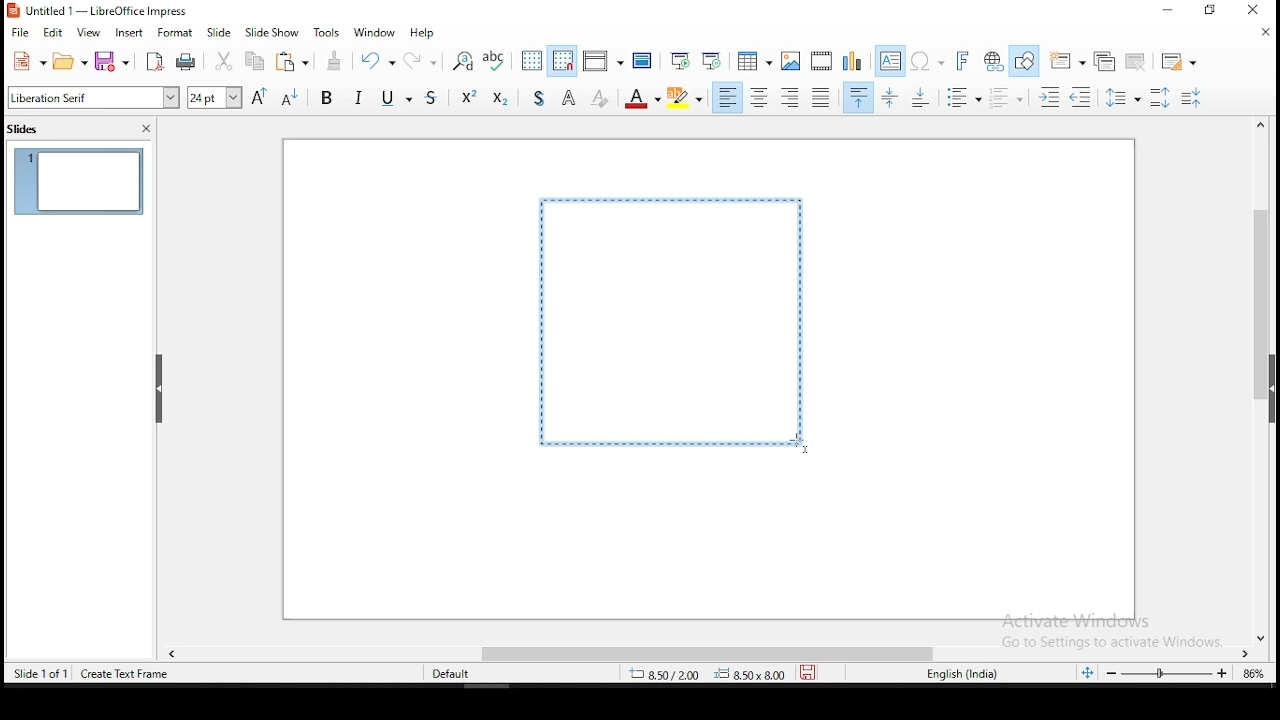  Describe the element at coordinates (272, 33) in the screenshot. I see `slide show` at that location.